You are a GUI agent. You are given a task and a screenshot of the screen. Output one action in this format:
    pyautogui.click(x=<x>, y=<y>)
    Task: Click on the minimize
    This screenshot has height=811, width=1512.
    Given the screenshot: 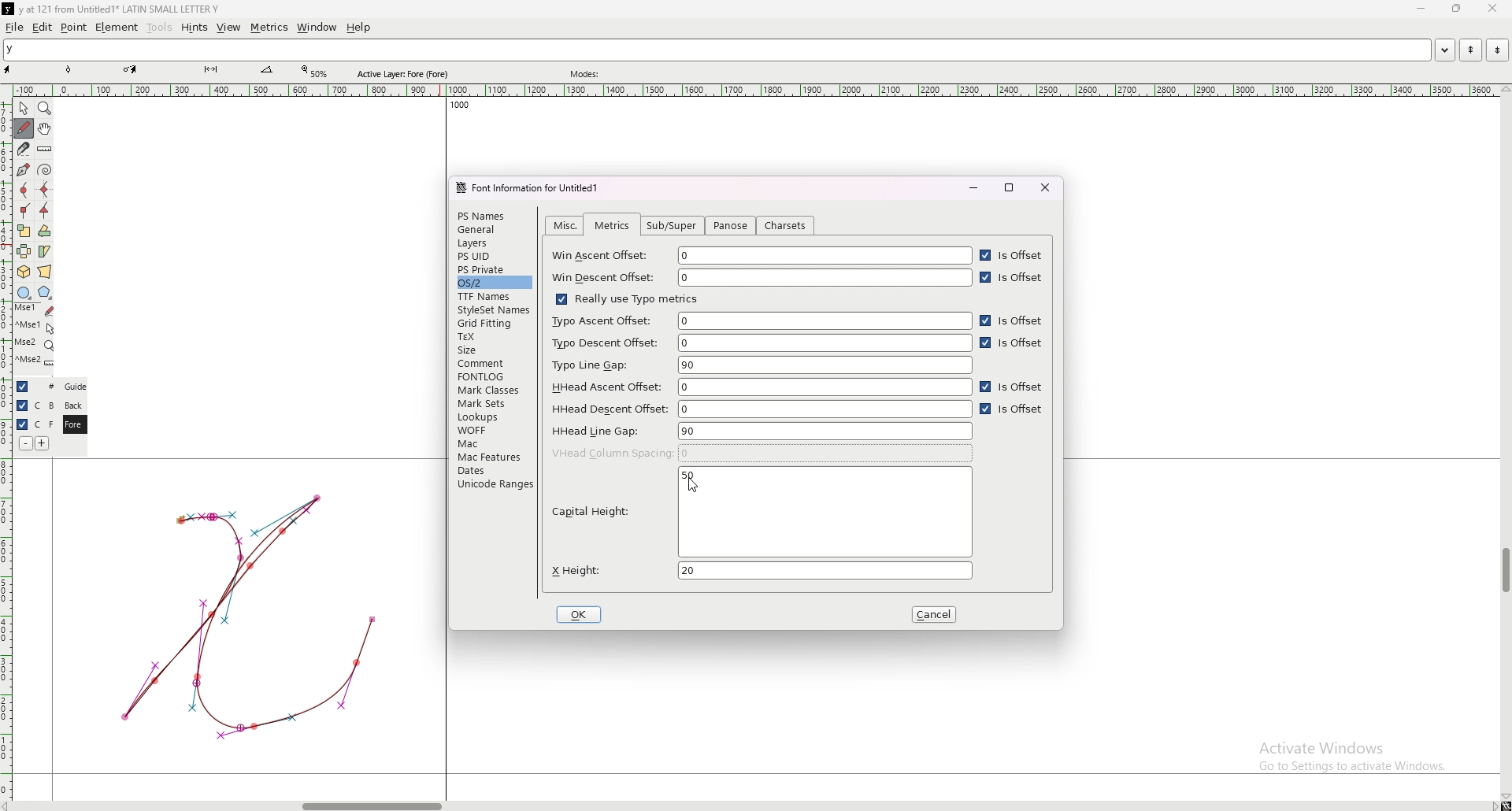 What is the action you would take?
    pyautogui.click(x=1423, y=9)
    